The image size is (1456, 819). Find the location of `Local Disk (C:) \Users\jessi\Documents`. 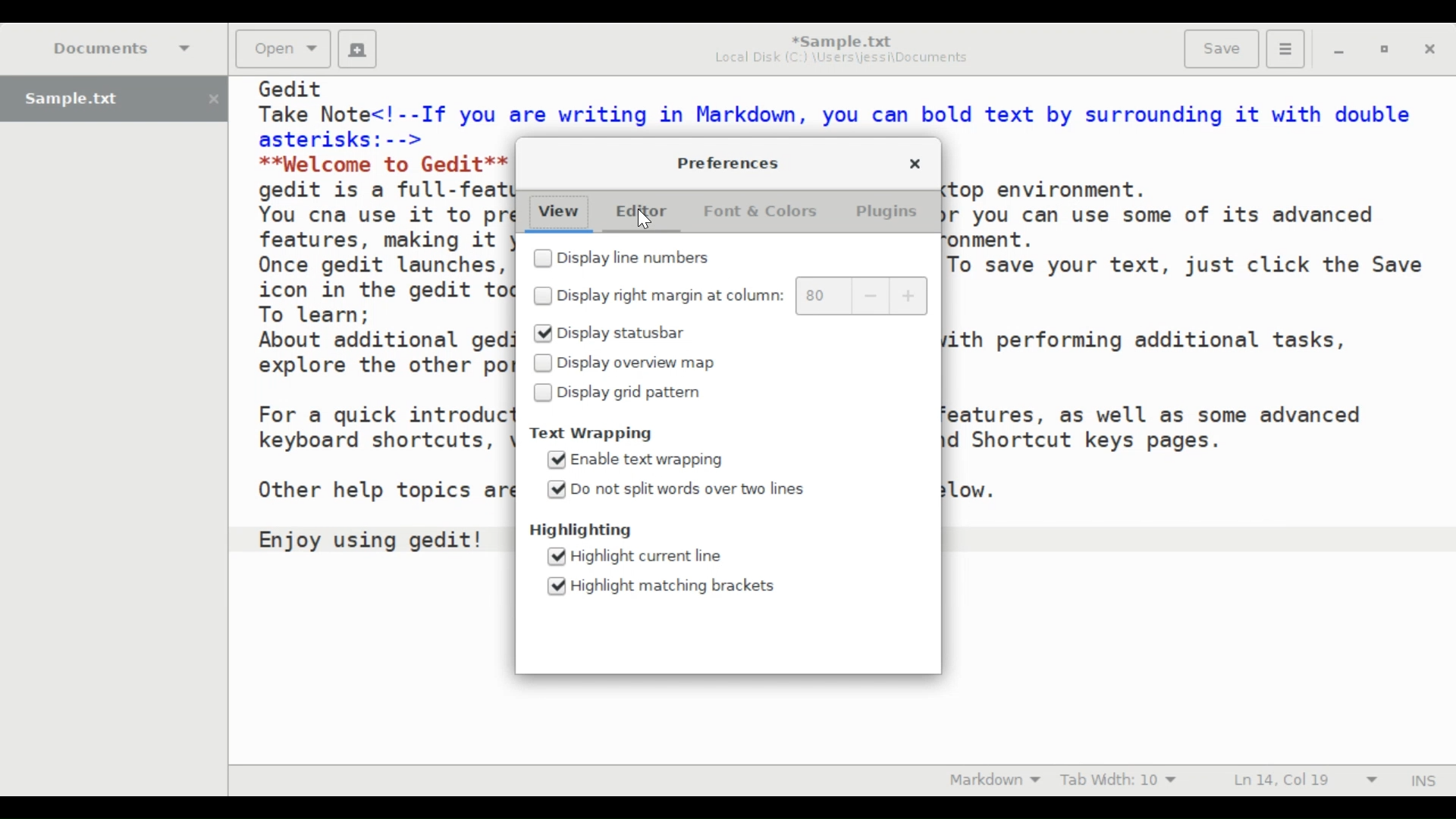

Local Disk (C:) \Users\jessi\Documents is located at coordinates (841, 61).